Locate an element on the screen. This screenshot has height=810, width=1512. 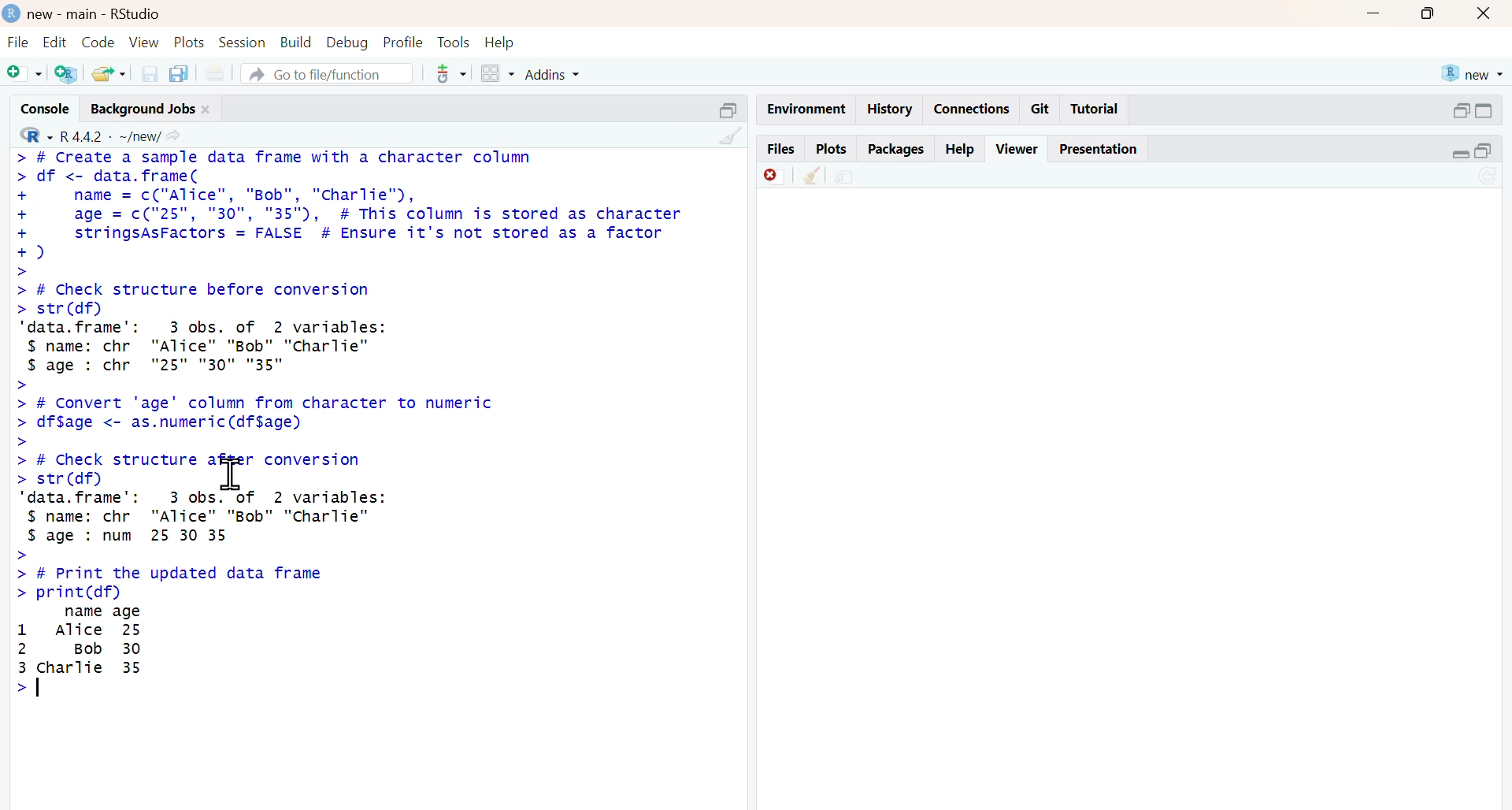
console is located at coordinates (46, 110).